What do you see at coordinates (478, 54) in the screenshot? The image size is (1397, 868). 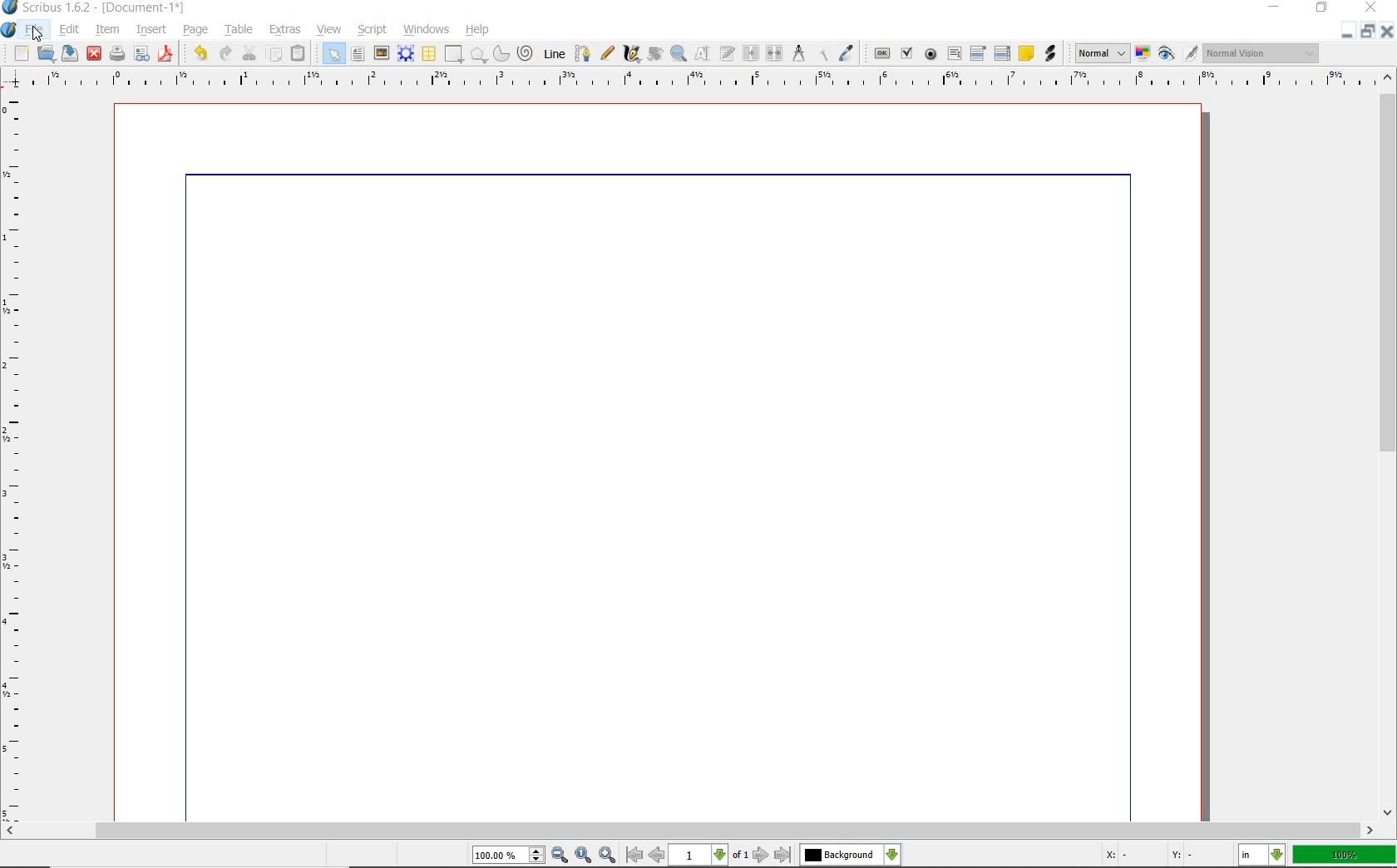 I see `shape` at bounding box center [478, 54].